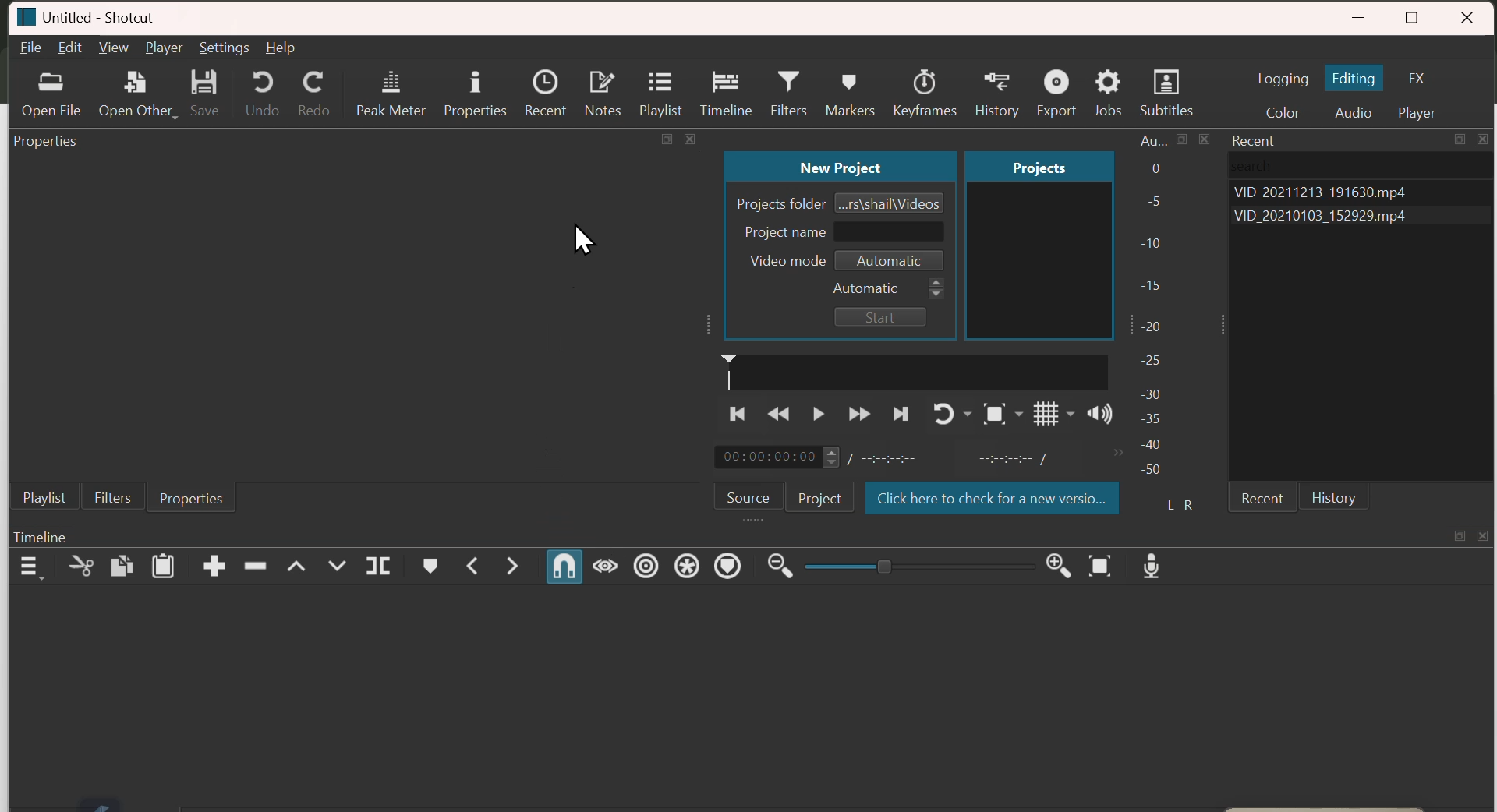 This screenshot has height=812, width=1497. Describe the element at coordinates (882, 317) in the screenshot. I see `Start` at that location.